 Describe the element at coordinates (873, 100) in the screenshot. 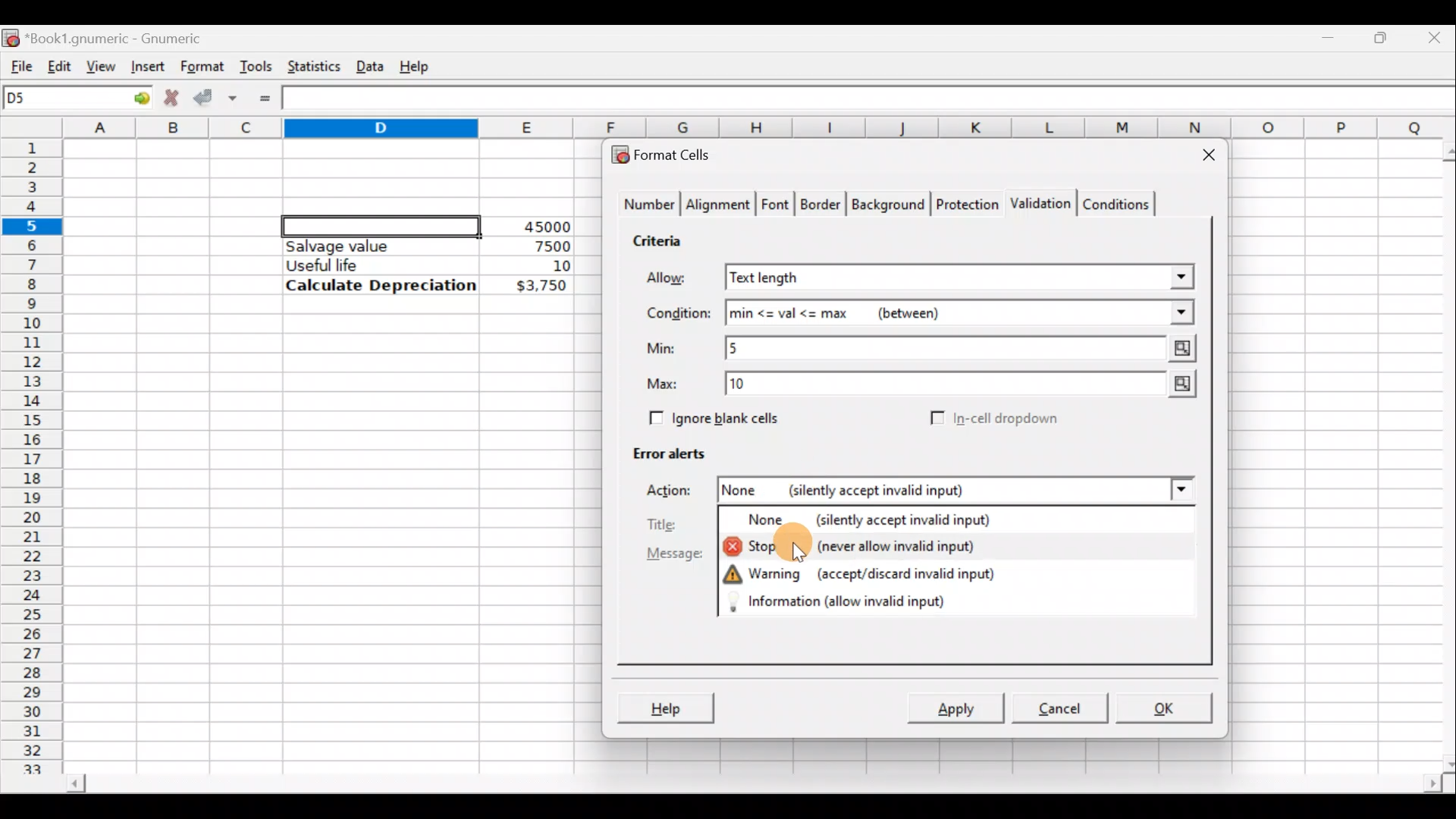

I see `Formula bar` at that location.